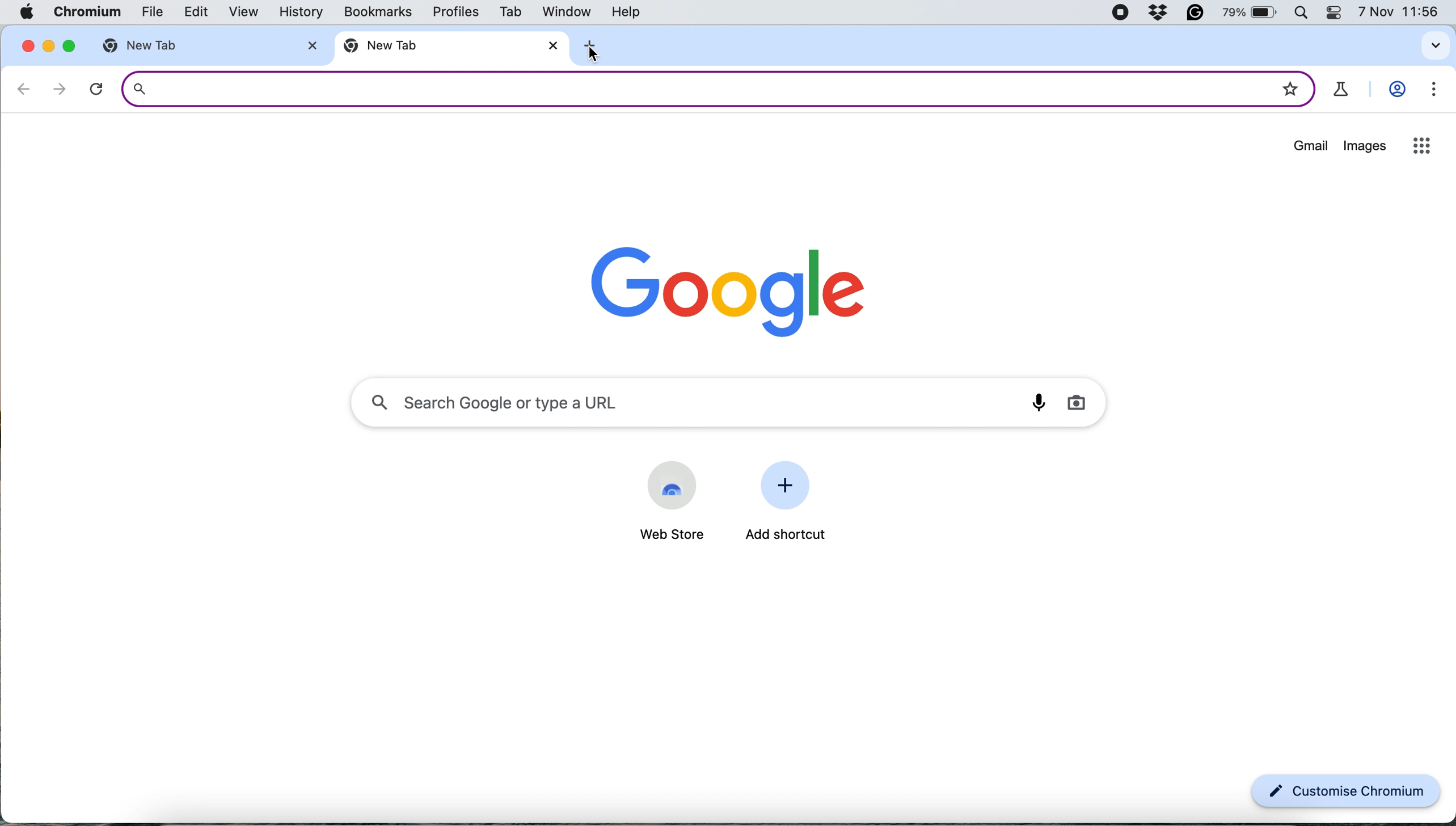 This screenshot has width=1456, height=826. What do you see at coordinates (1429, 92) in the screenshot?
I see `settings` at bounding box center [1429, 92].